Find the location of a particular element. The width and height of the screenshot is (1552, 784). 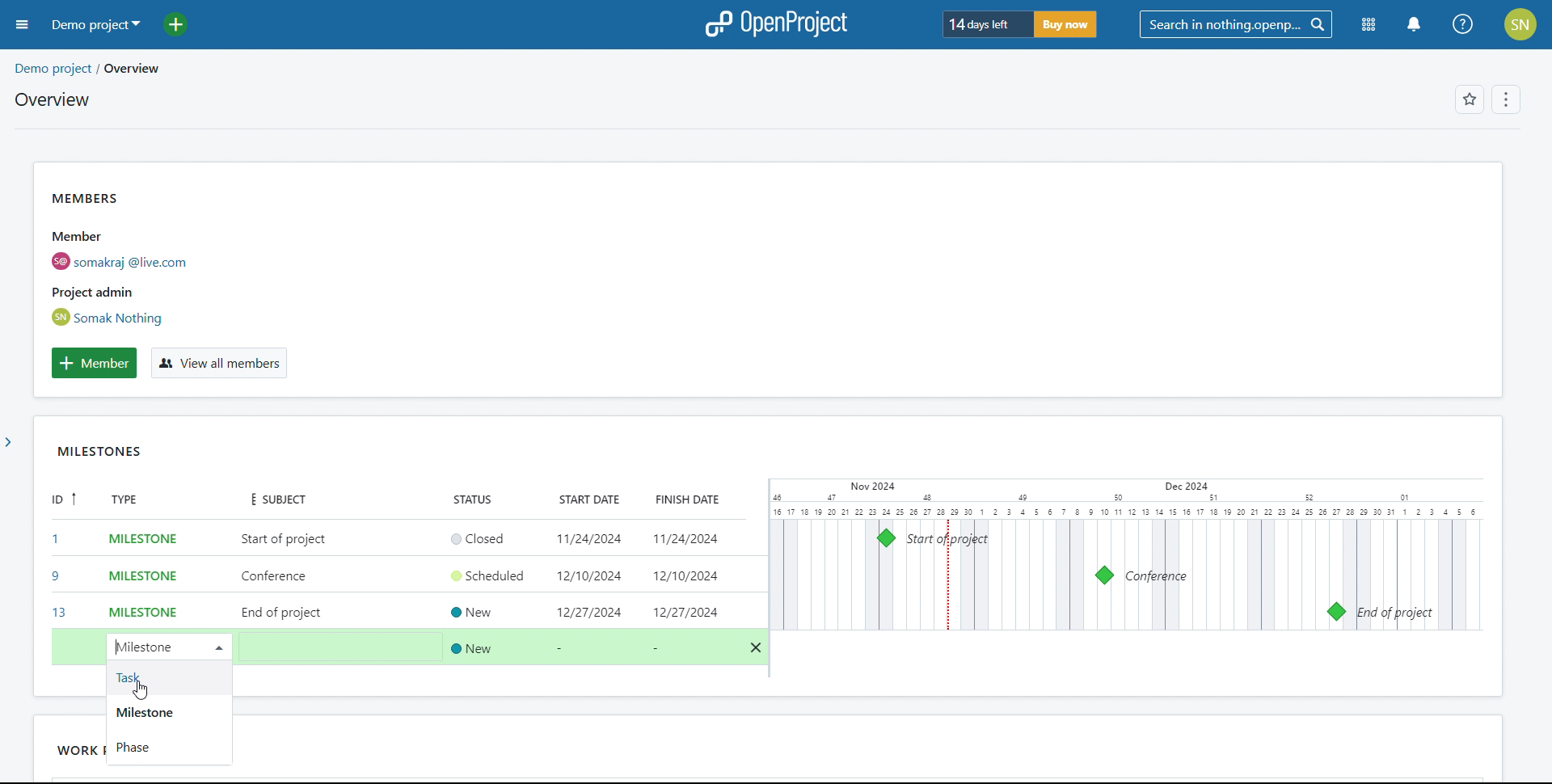

work packages is located at coordinates (77, 750).